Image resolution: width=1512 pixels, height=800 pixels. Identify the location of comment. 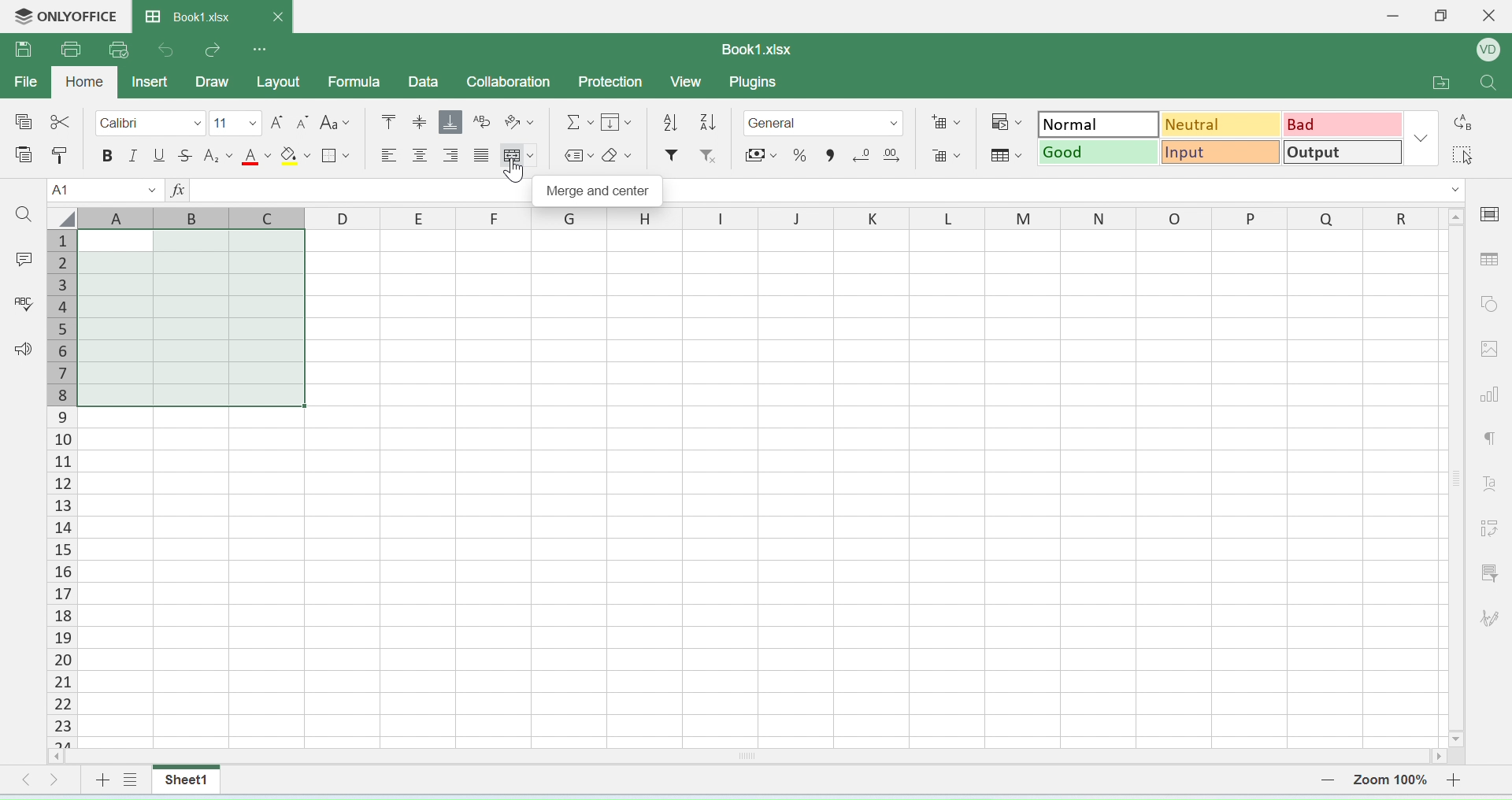
(27, 257).